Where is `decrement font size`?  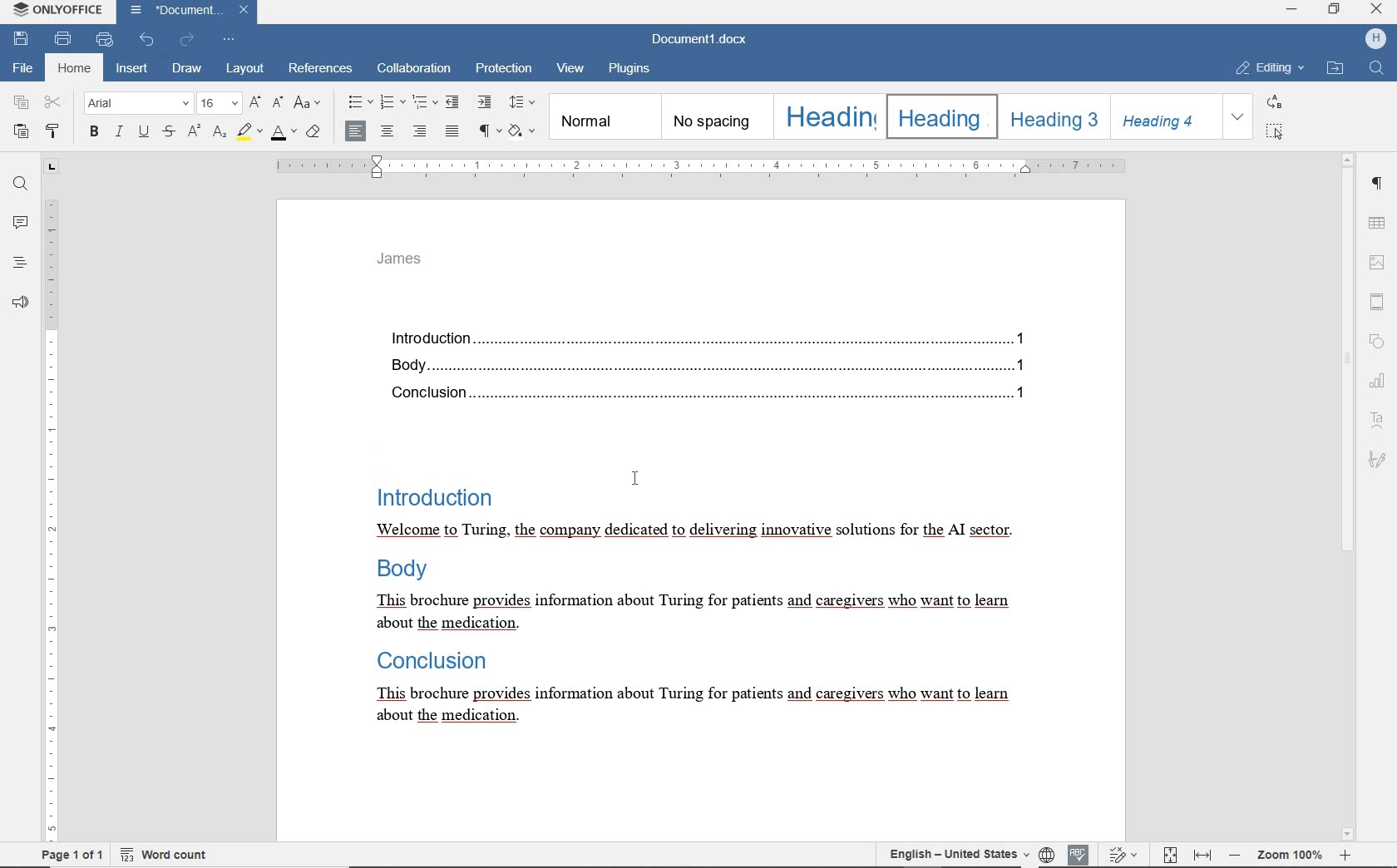 decrement font size is located at coordinates (278, 101).